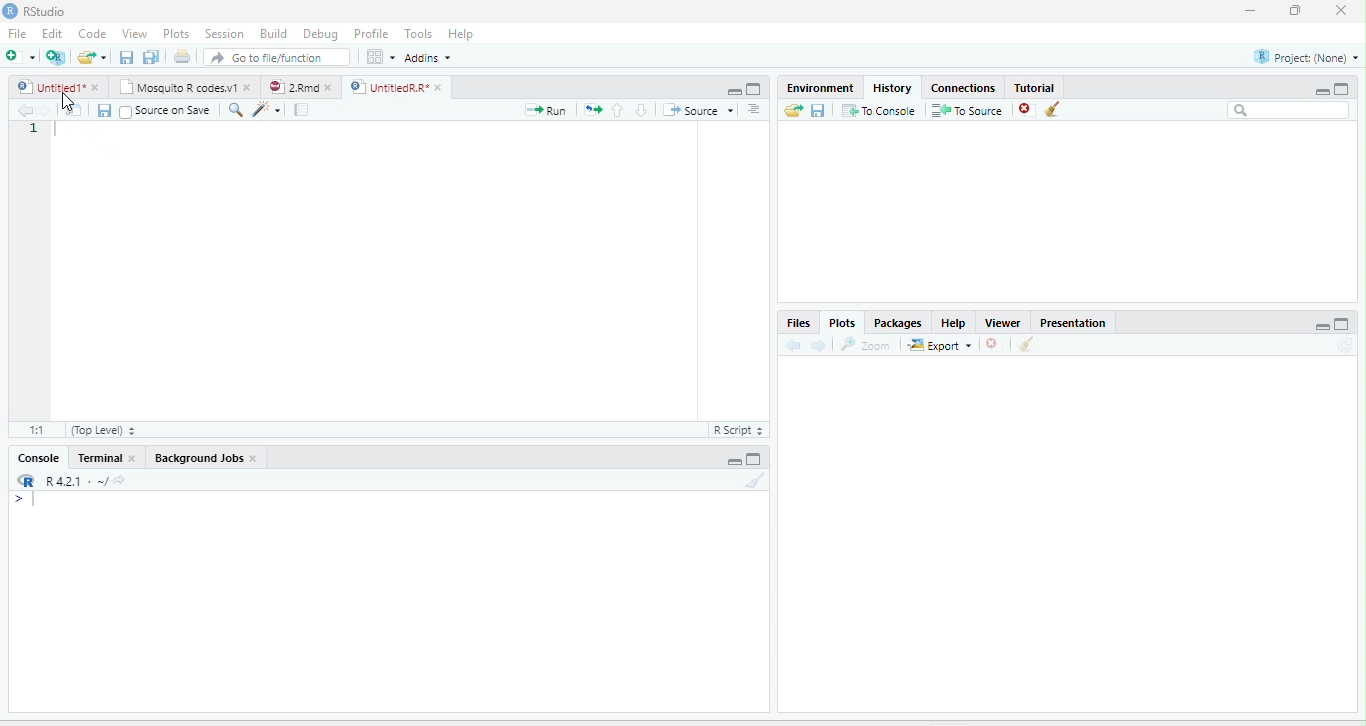 The width and height of the screenshot is (1366, 726). I want to click on close, so click(95, 87).